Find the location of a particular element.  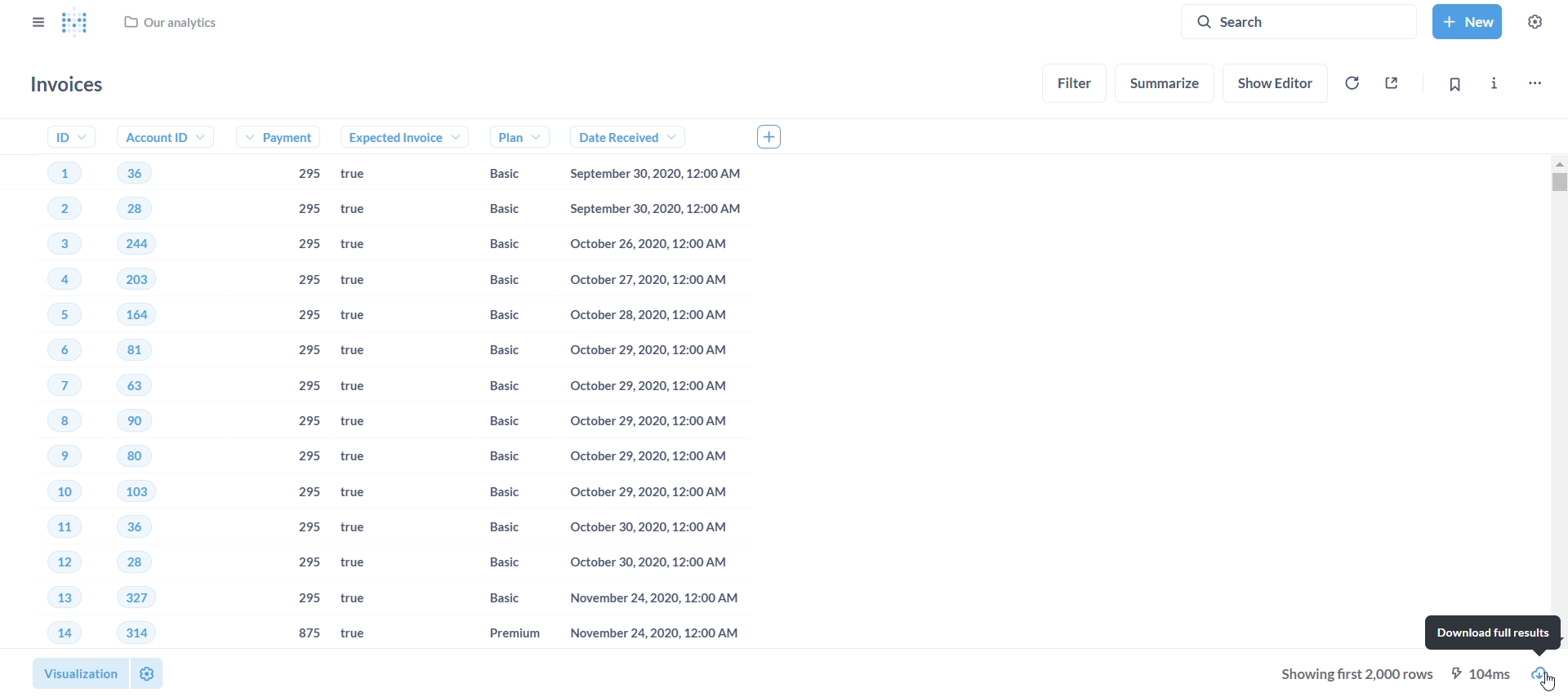

295 is located at coordinates (305, 352).